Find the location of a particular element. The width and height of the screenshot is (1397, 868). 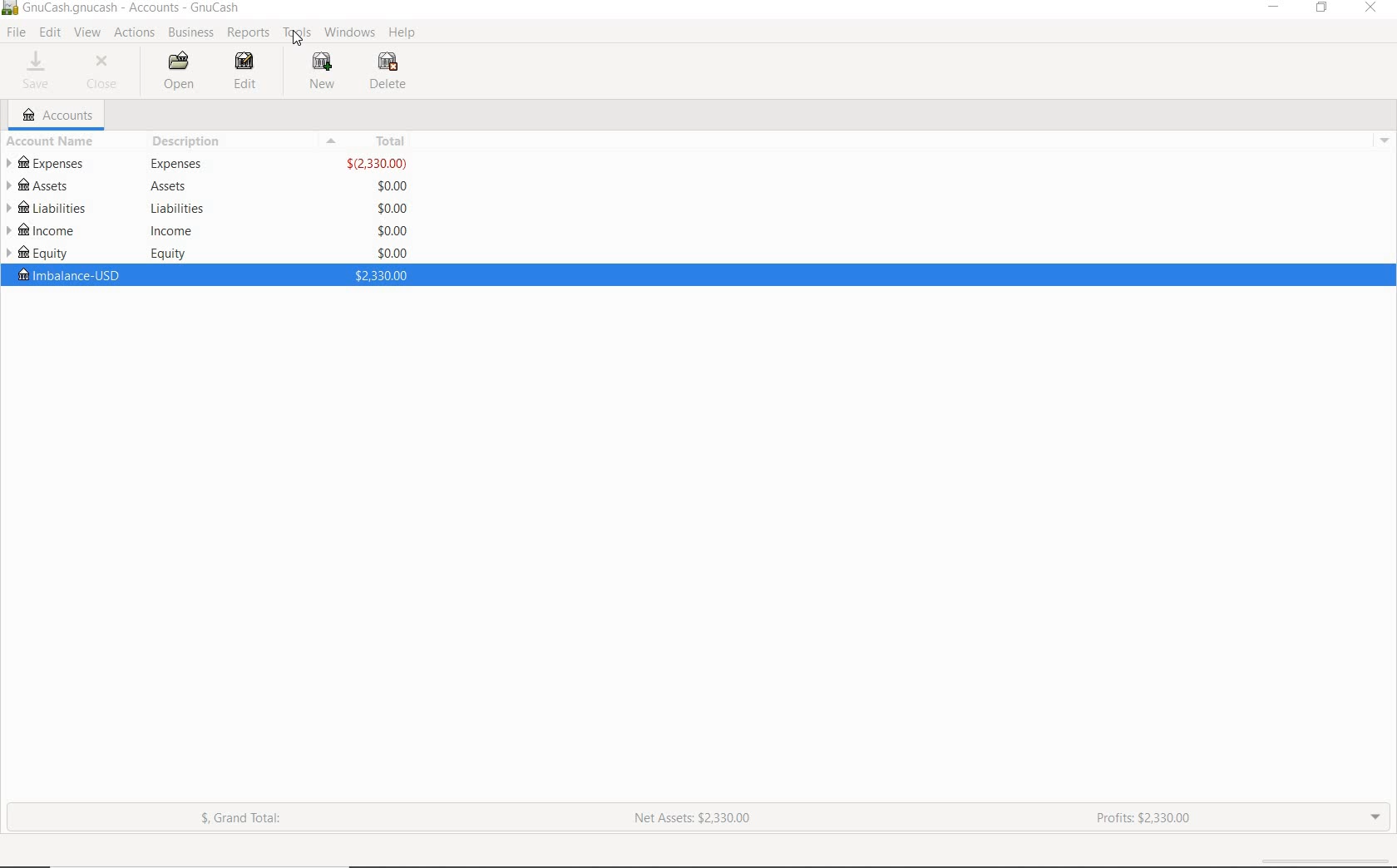

Text is located at coordinates (131, 8).